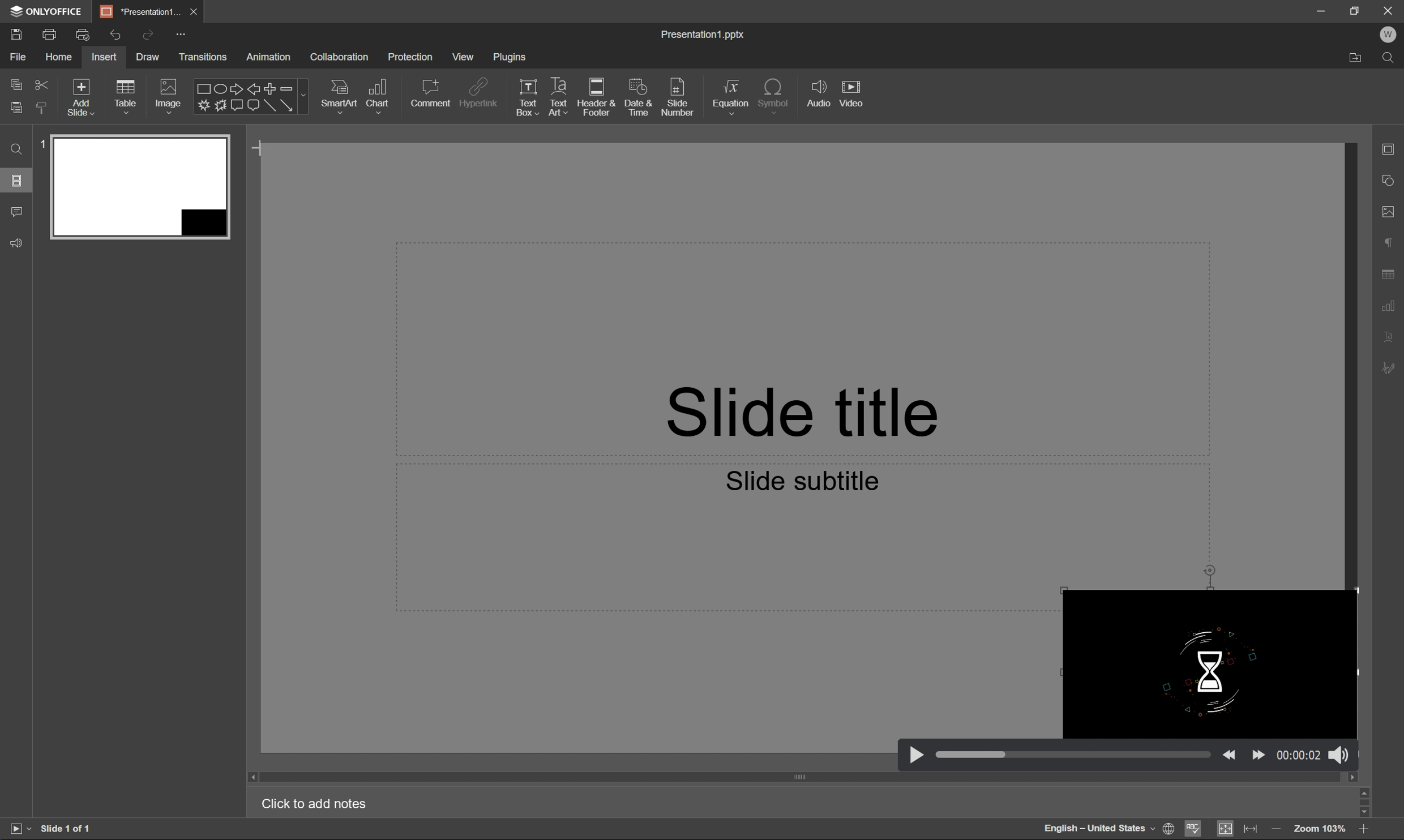 The height and width of the screenshot is (840, 1404). What do you see at coordinates (18, 152) in the screenshot?
I see `Find` at bounding box center [18, 152].